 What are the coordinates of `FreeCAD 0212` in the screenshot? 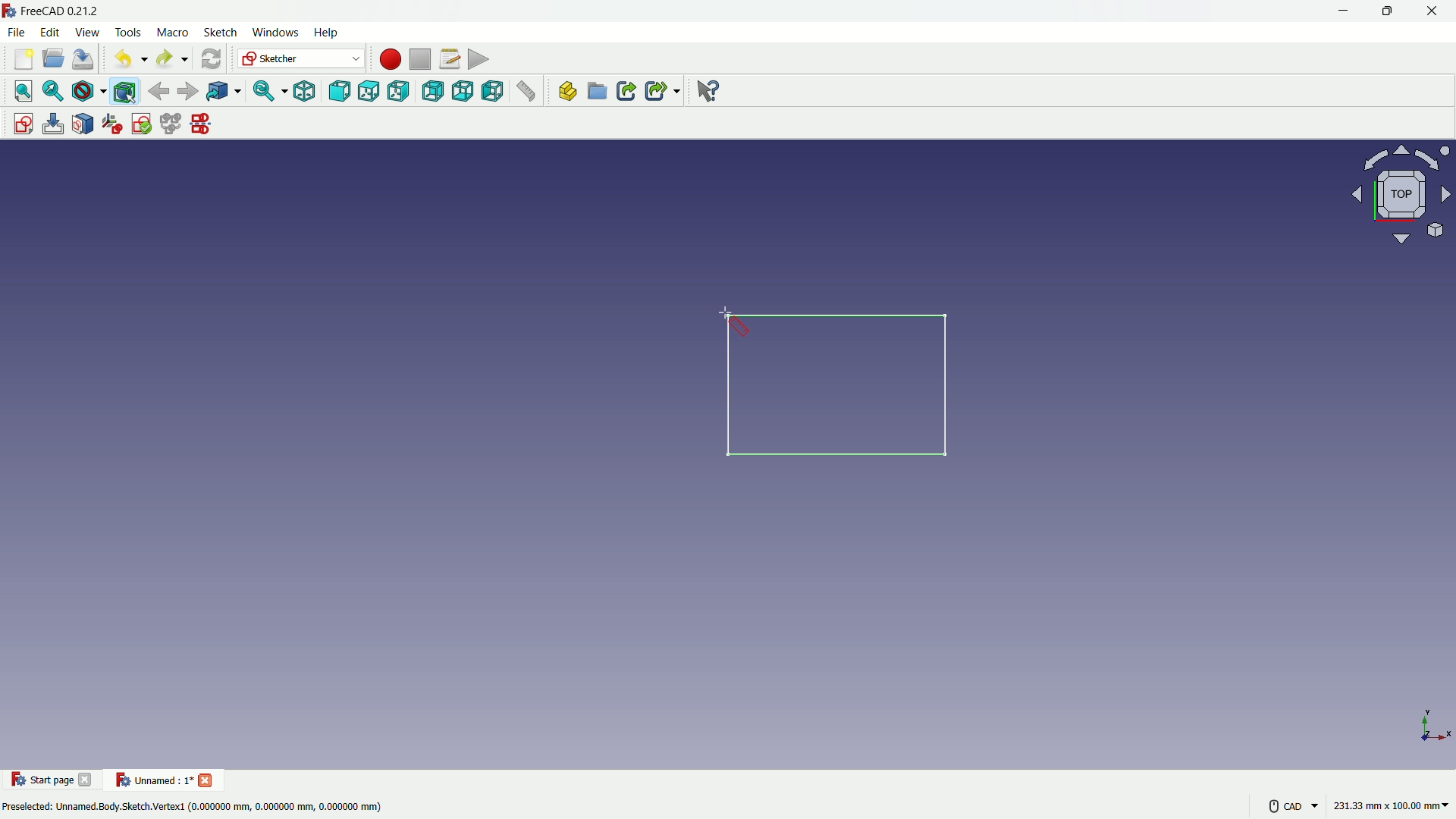 It's located at (72, 11).